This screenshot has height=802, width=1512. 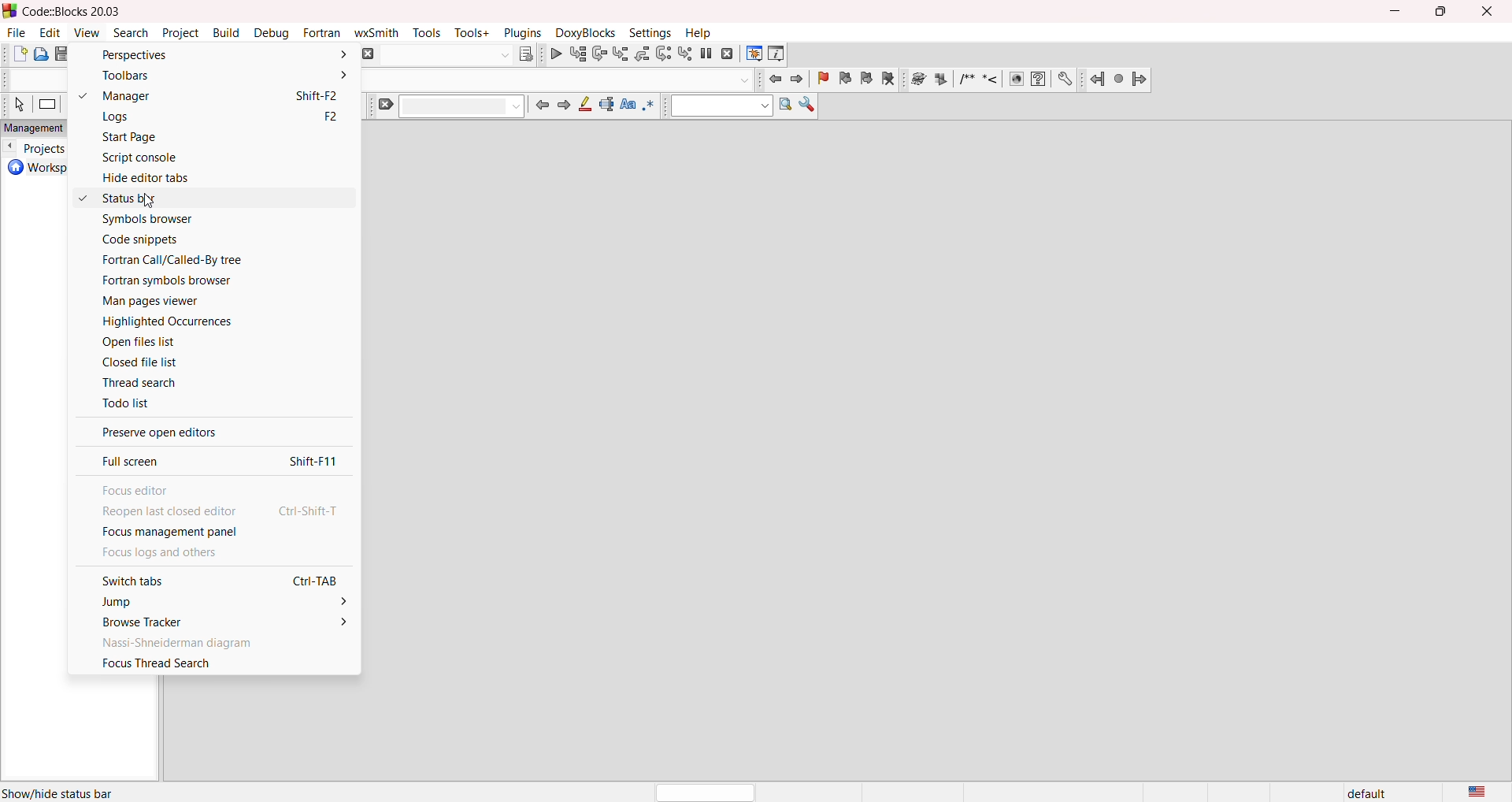 I want to click on logs, so click(x=209, y=117).